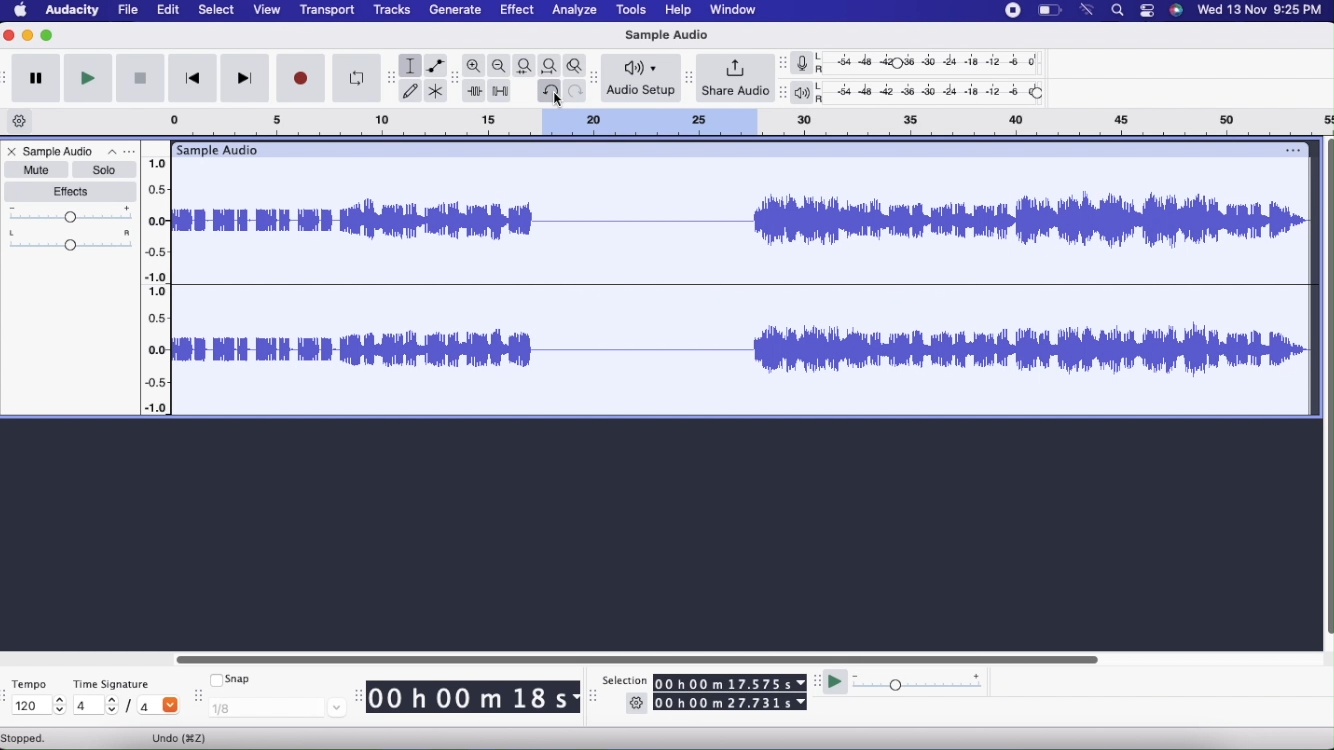 This screenshot has height=750, width=1334. I want to click on File, so click(129, 11).